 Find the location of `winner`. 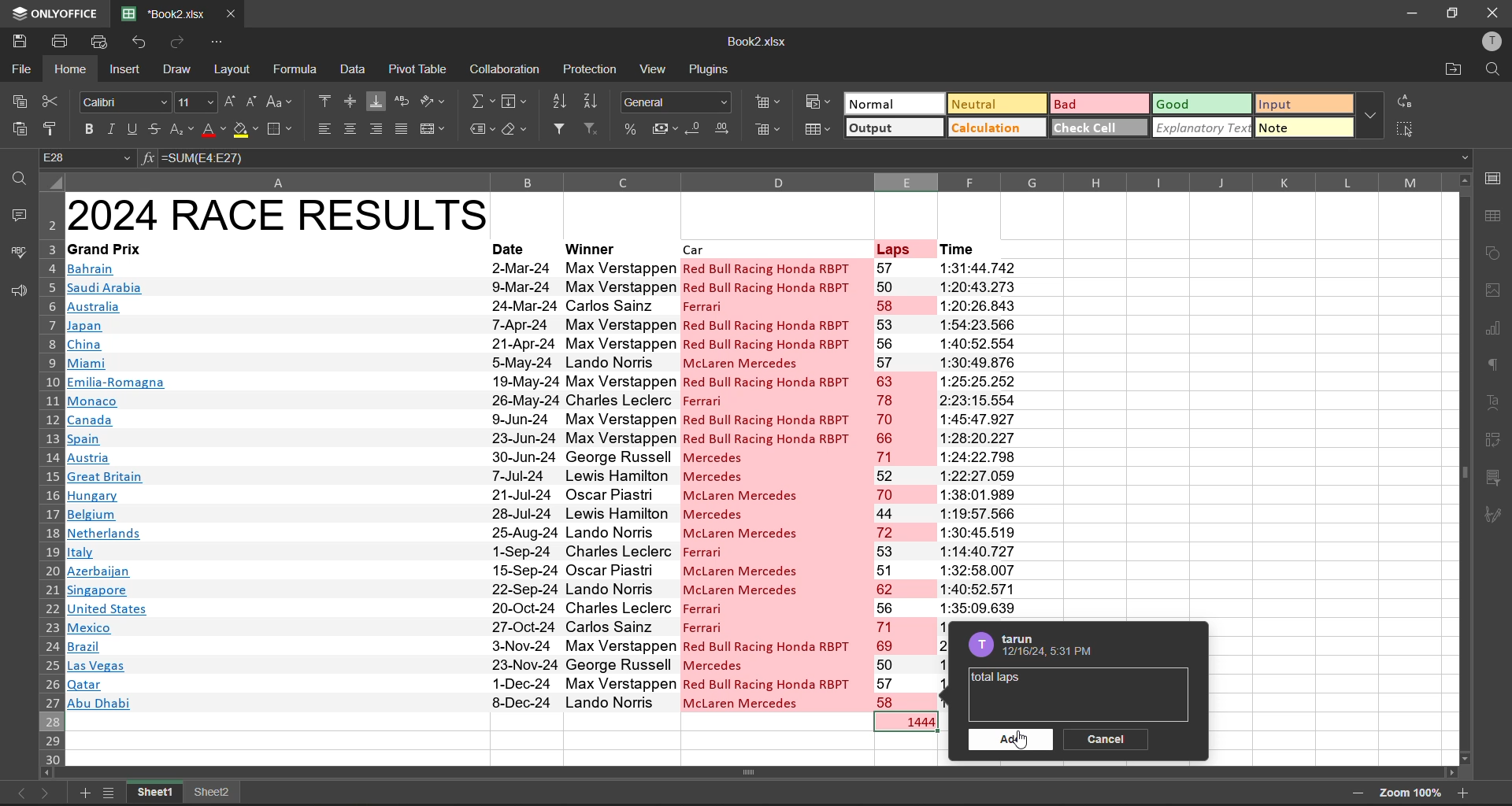

winner is located at coordinates (591, 250).